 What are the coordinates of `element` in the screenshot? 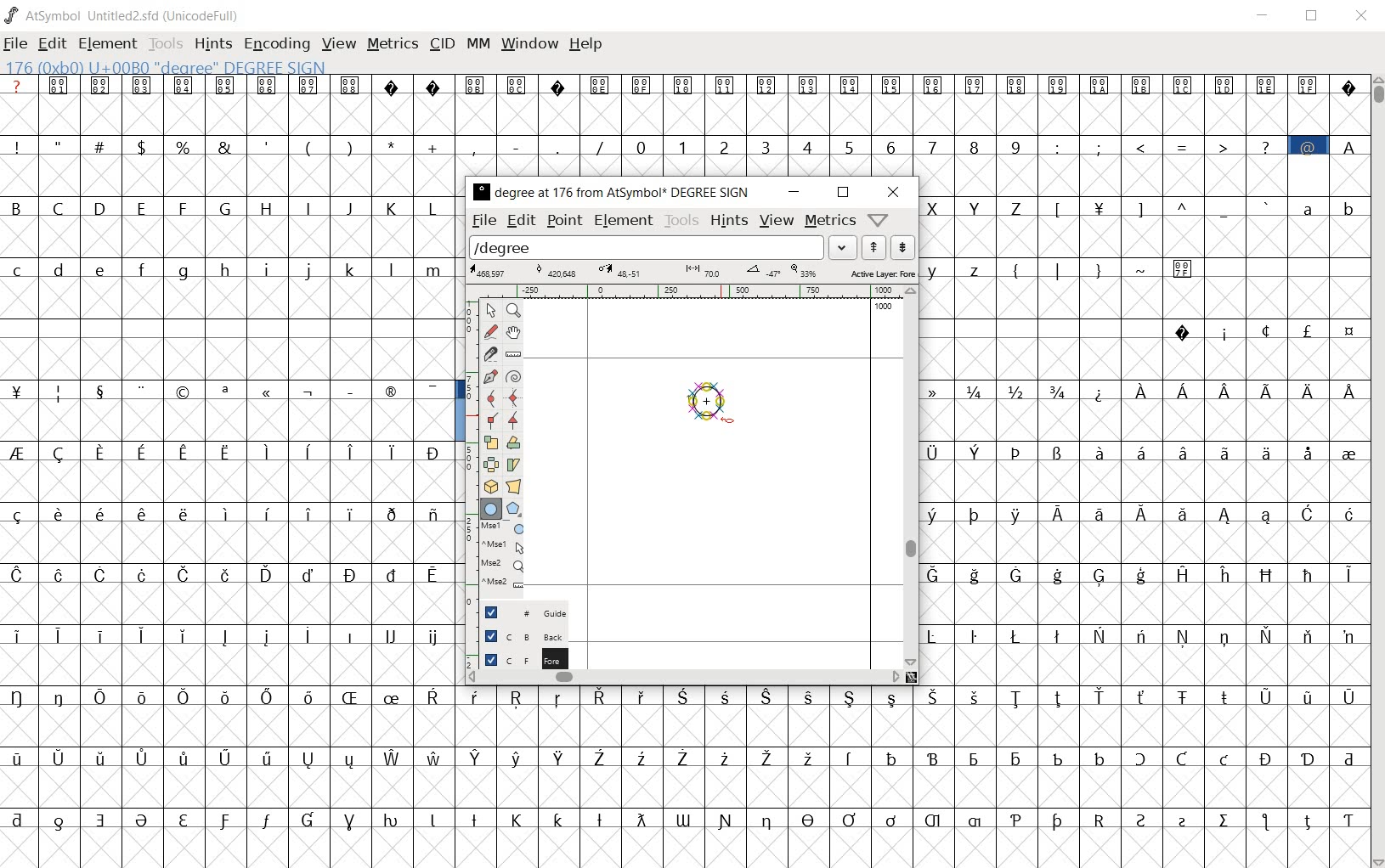 It's located at (625, 222).